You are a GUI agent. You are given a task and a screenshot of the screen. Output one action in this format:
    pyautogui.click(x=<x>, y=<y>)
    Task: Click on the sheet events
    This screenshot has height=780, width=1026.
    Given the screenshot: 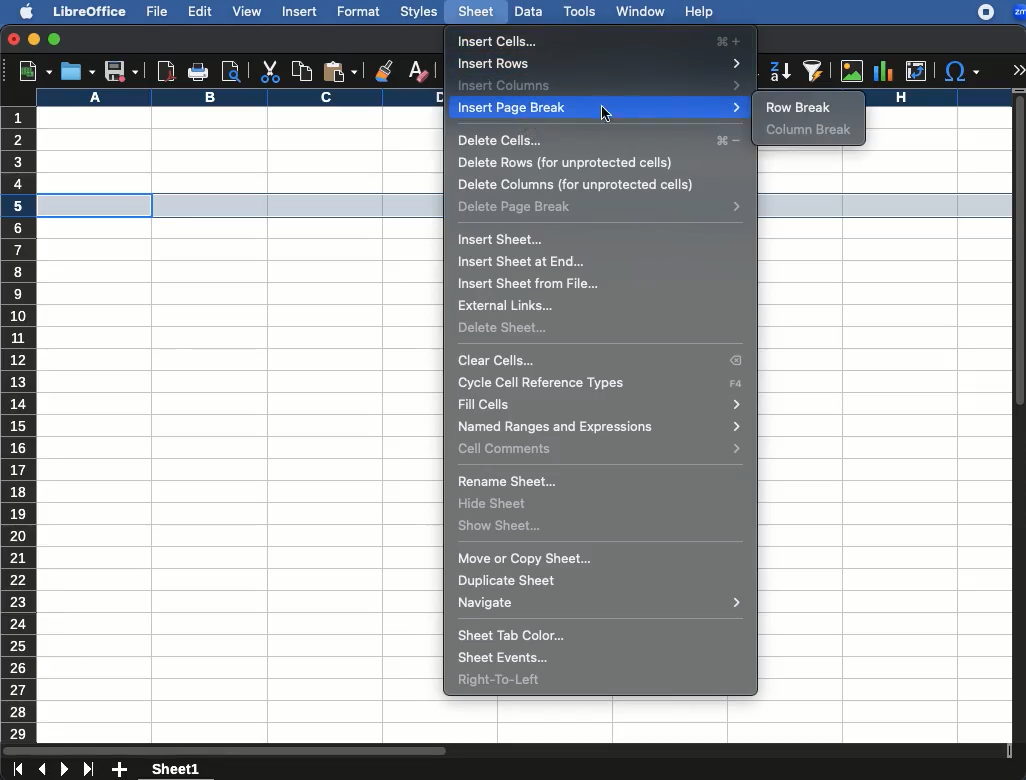 What is the action you would take?
    pyautogui.click(x=507, y=659)
    